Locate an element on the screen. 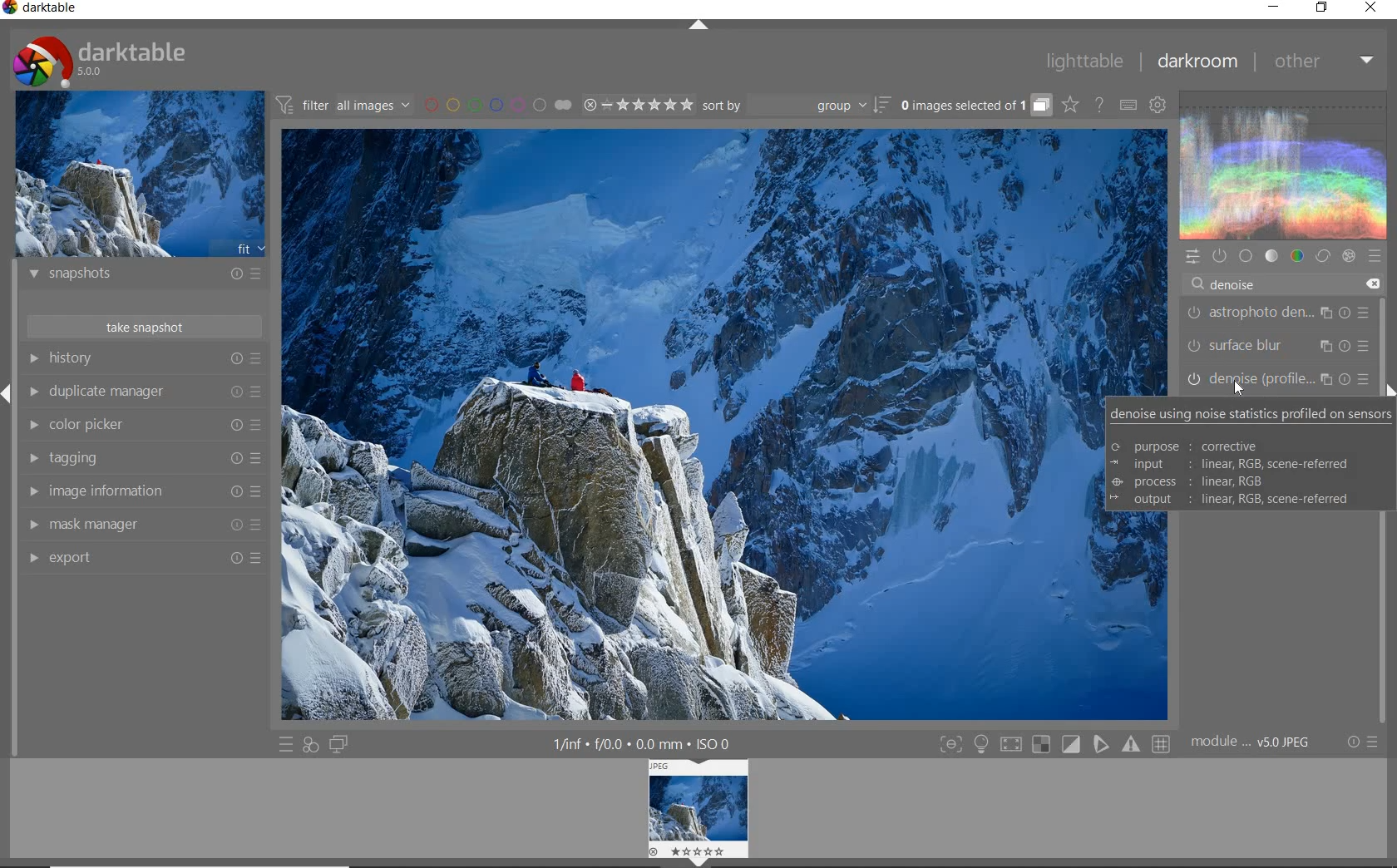  sort is located at coordinates (796, 106).